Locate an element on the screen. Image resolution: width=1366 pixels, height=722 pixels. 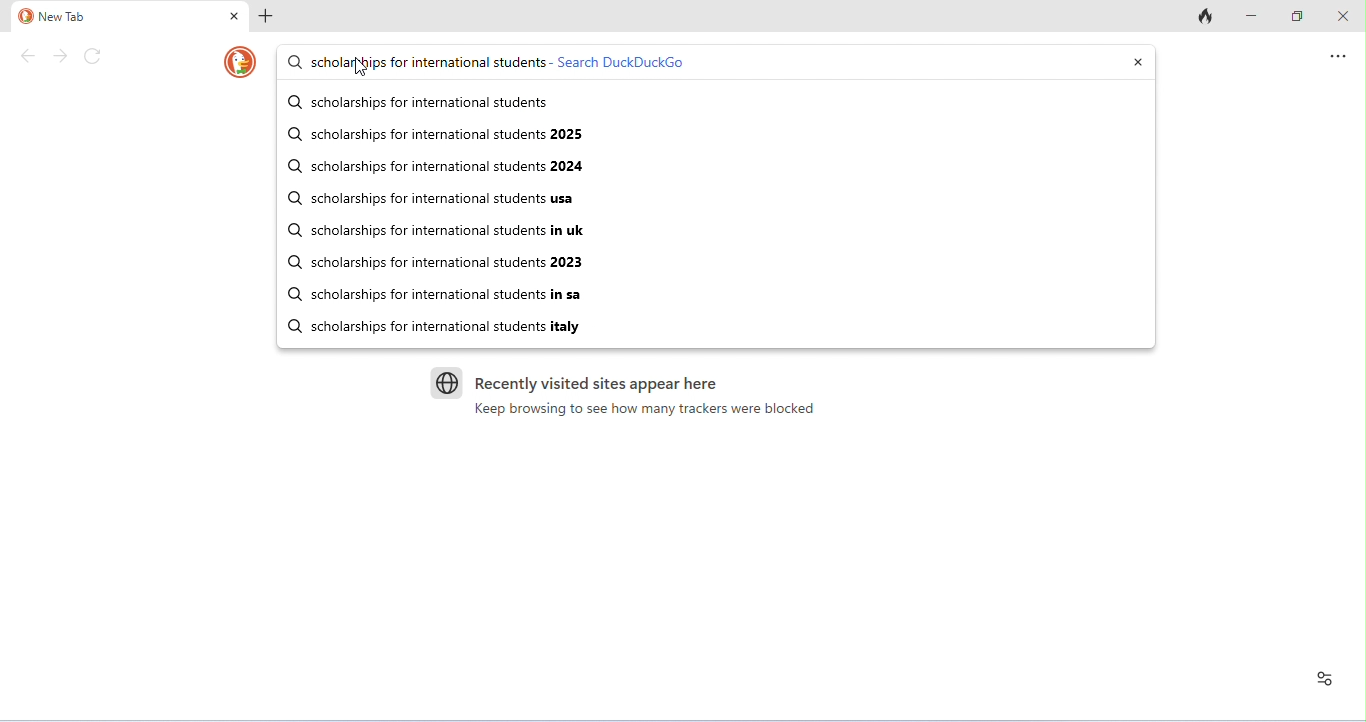
close is located at coordinates (1340, 16).